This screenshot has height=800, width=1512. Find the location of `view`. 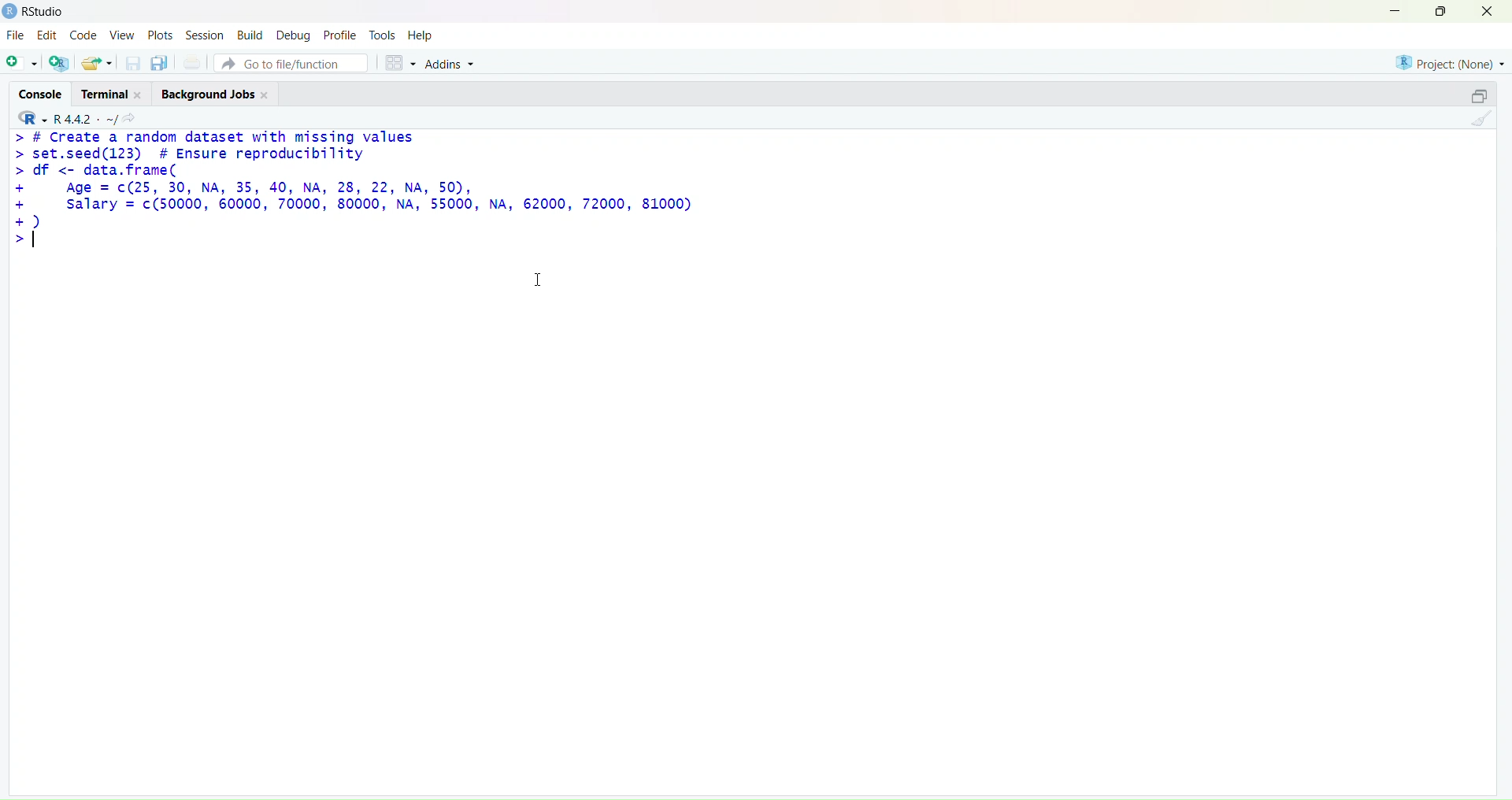

view is located at coordinates (121, 35).